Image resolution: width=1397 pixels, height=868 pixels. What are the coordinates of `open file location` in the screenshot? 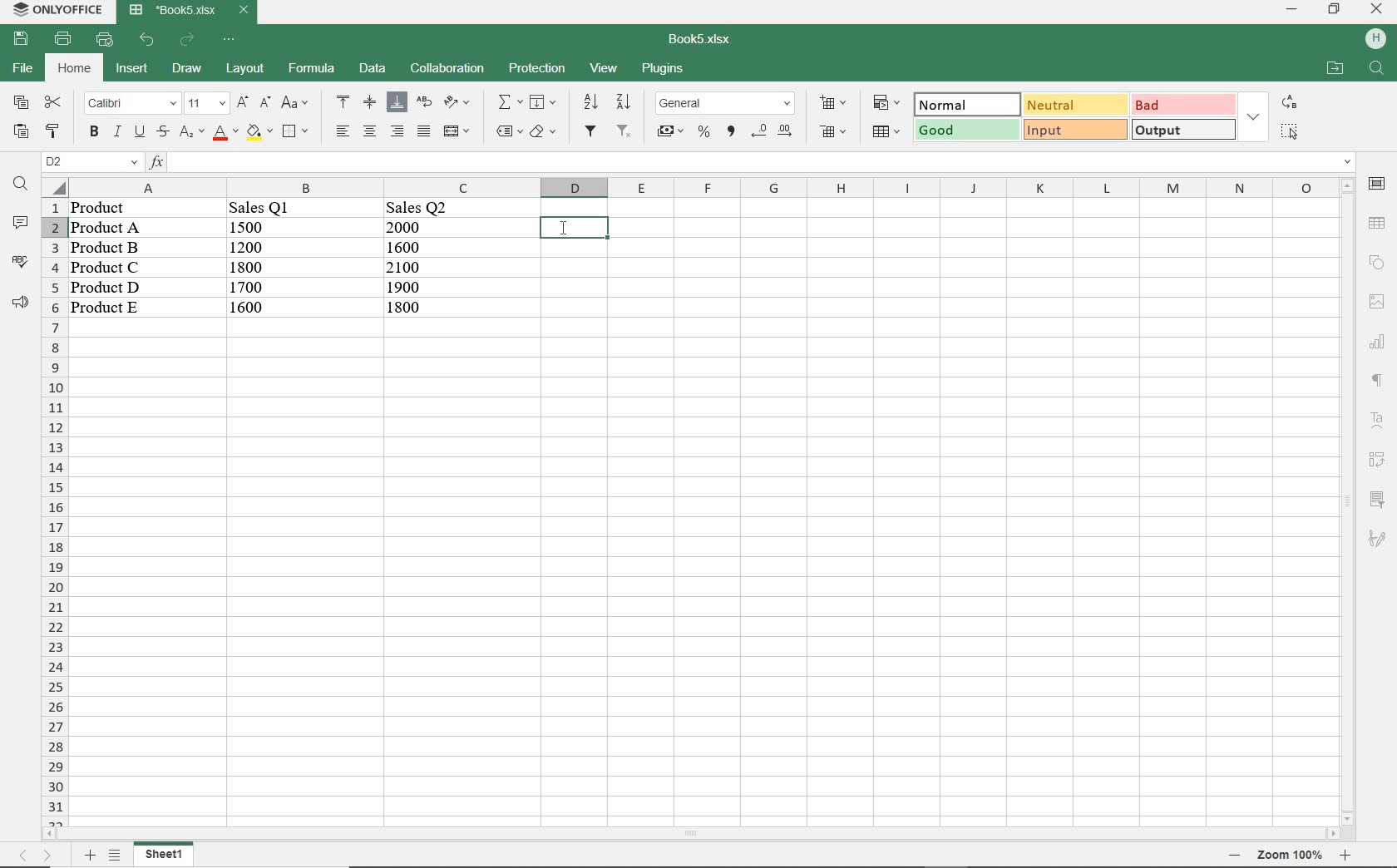 It's located at (1335, 67).